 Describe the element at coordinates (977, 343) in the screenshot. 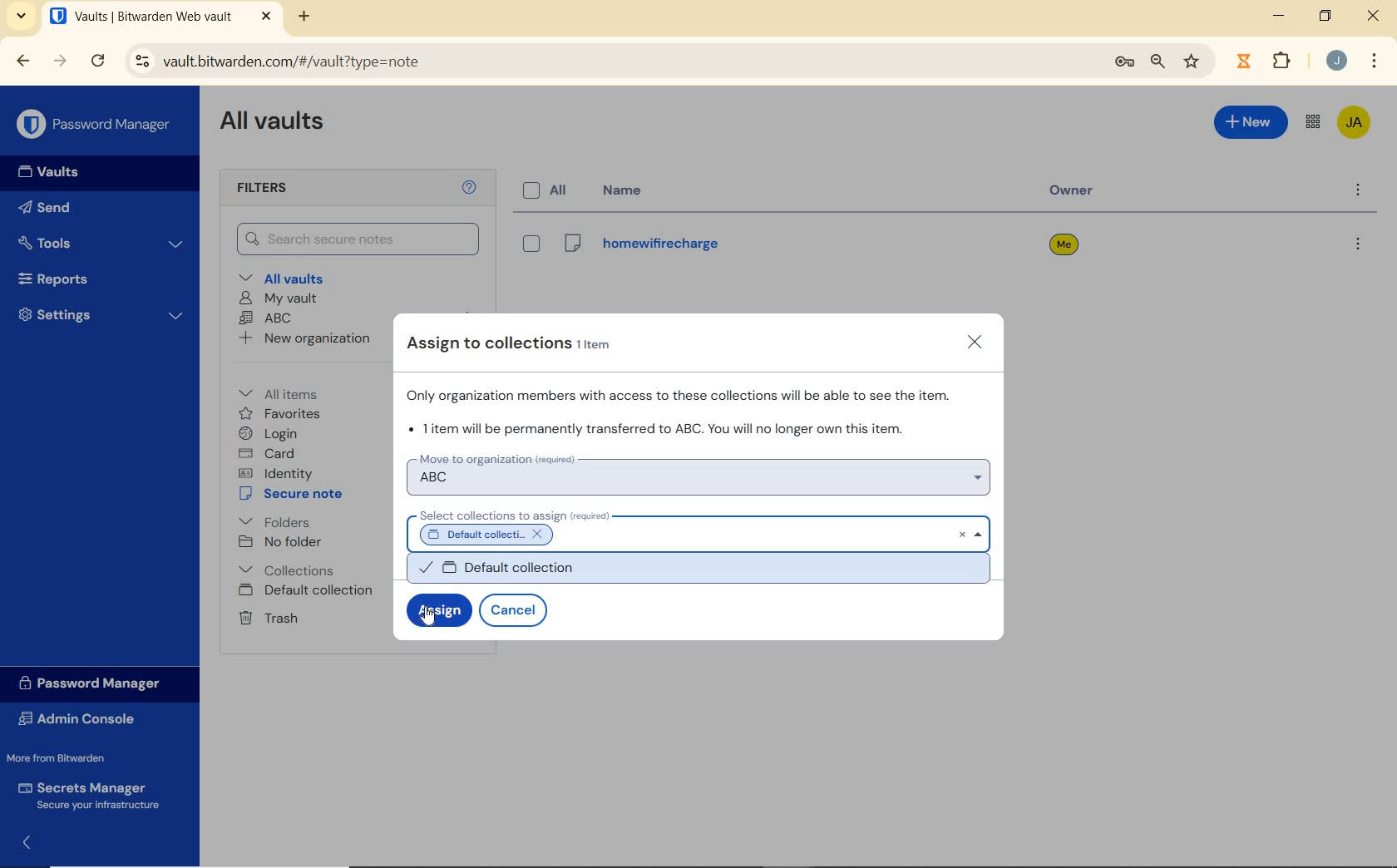

I see `close` at that location.